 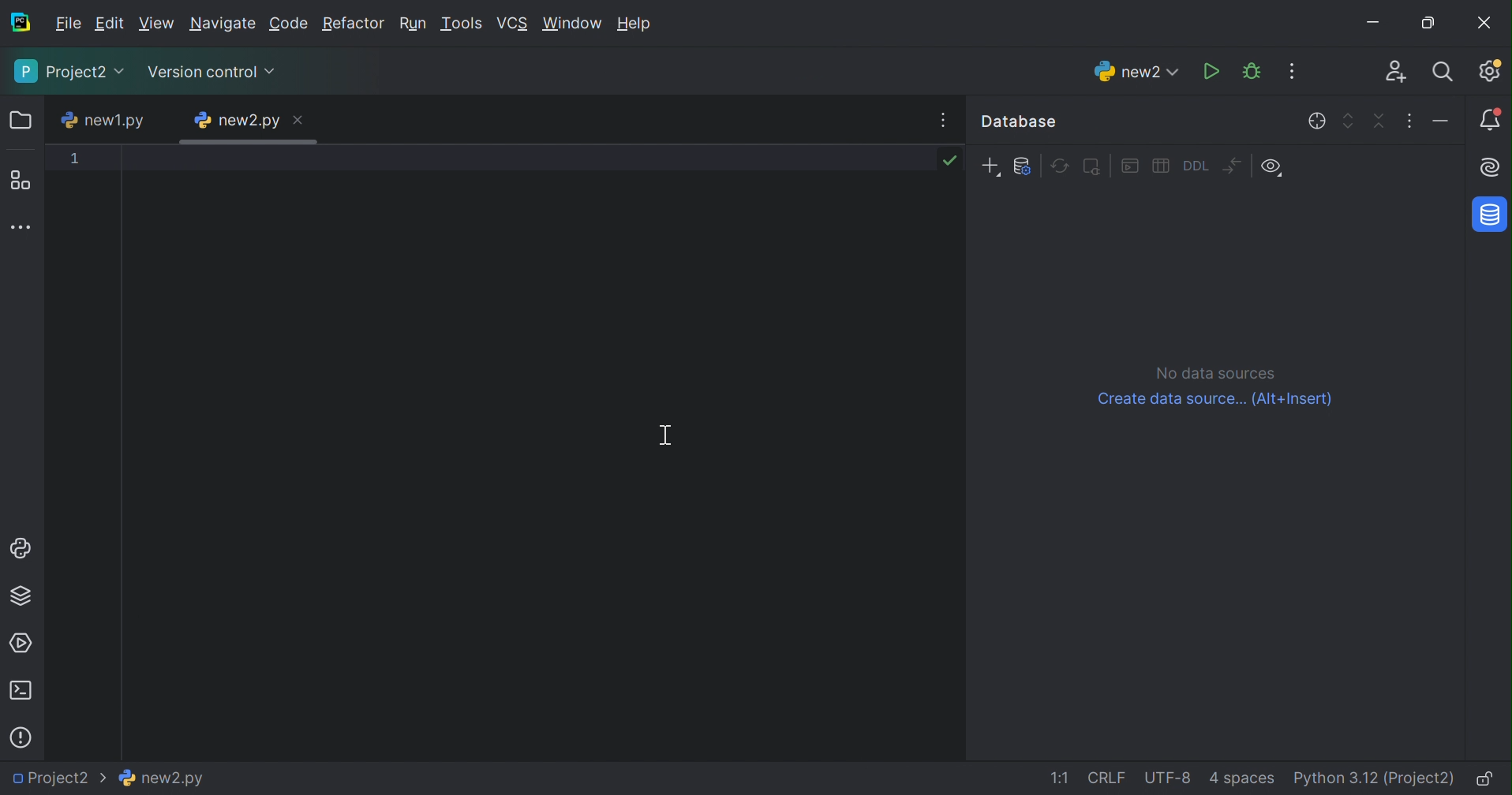 I want to click on Close, so click(x=301, y=121).